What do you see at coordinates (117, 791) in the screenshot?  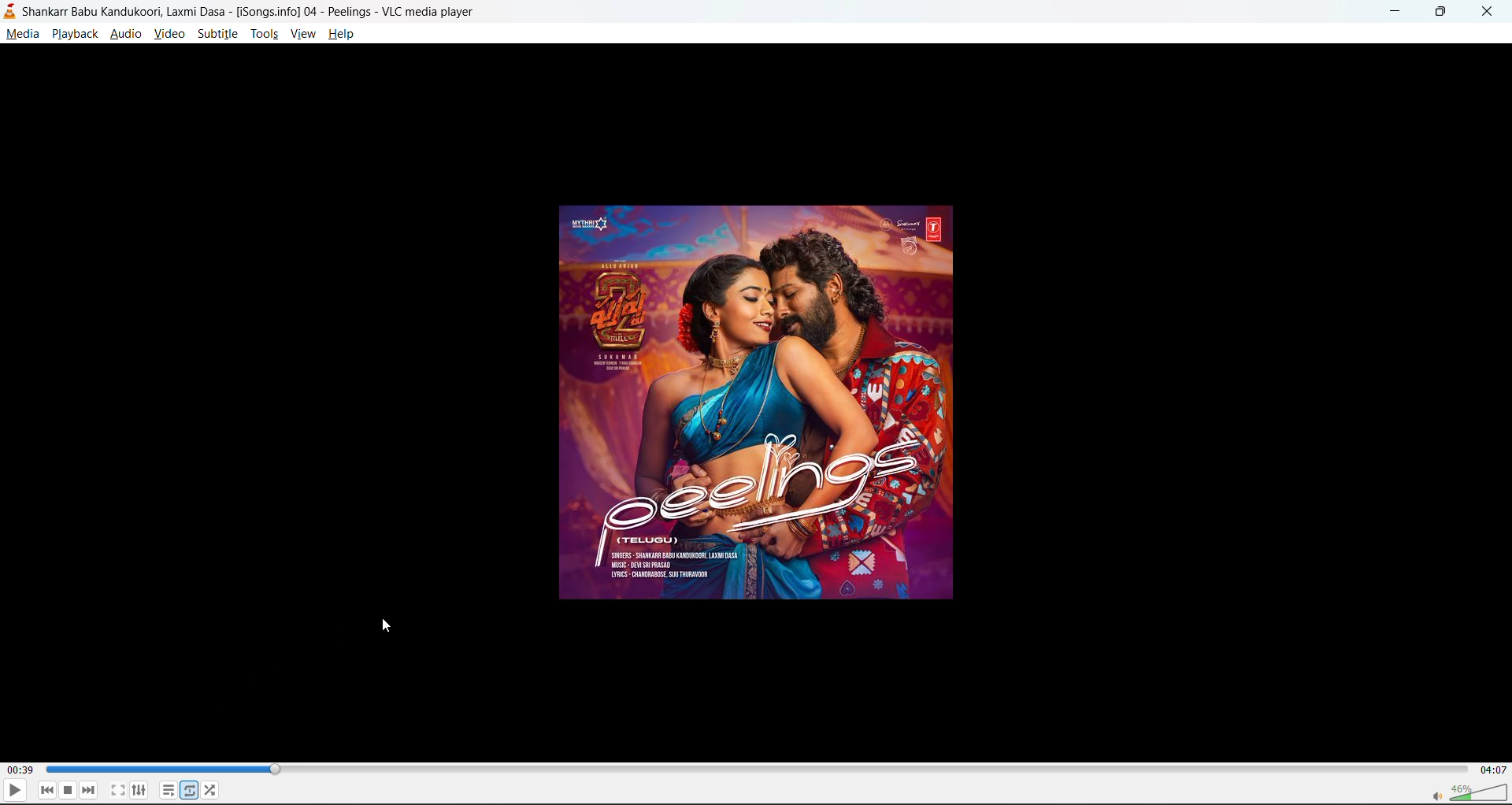 I see `fullscreen` at bounding box center [117, 791].